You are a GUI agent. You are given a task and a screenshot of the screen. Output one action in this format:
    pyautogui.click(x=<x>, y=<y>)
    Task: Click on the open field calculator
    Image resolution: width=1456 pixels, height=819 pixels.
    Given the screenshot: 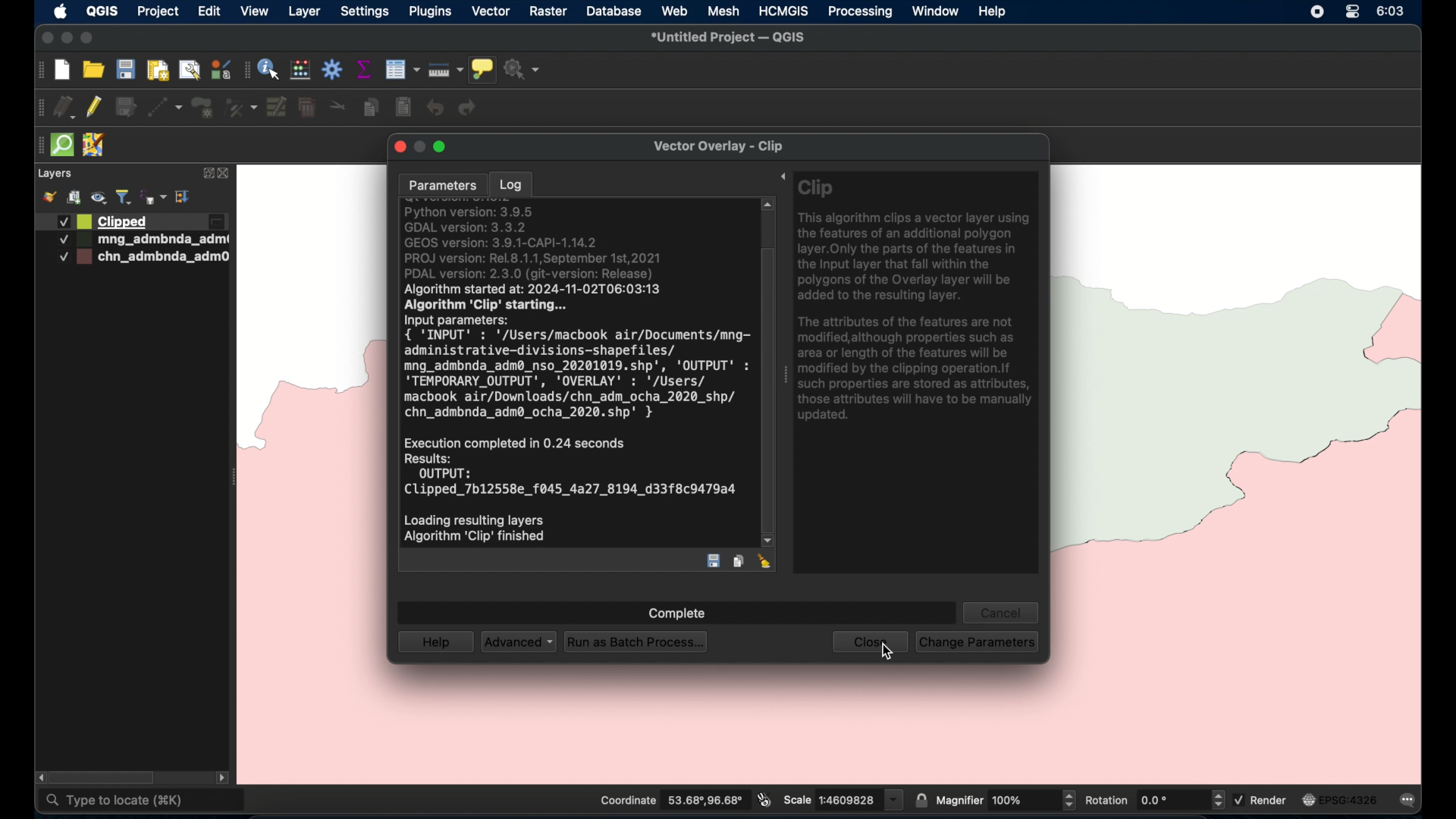 What is the action you would take?
    pyautogui.click(x=301, y=71)
    